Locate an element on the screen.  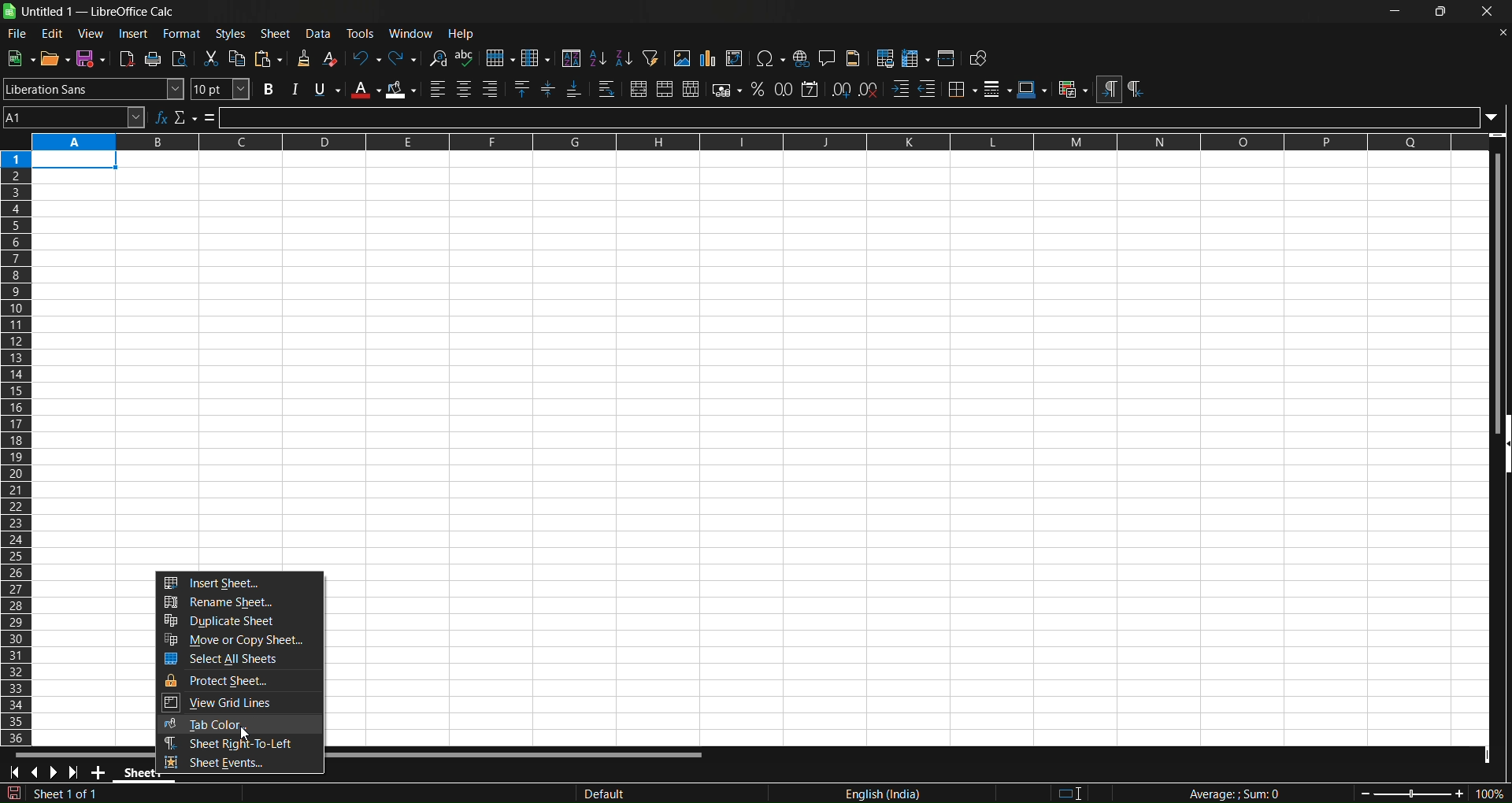
help is located at coordinates (465, 34).